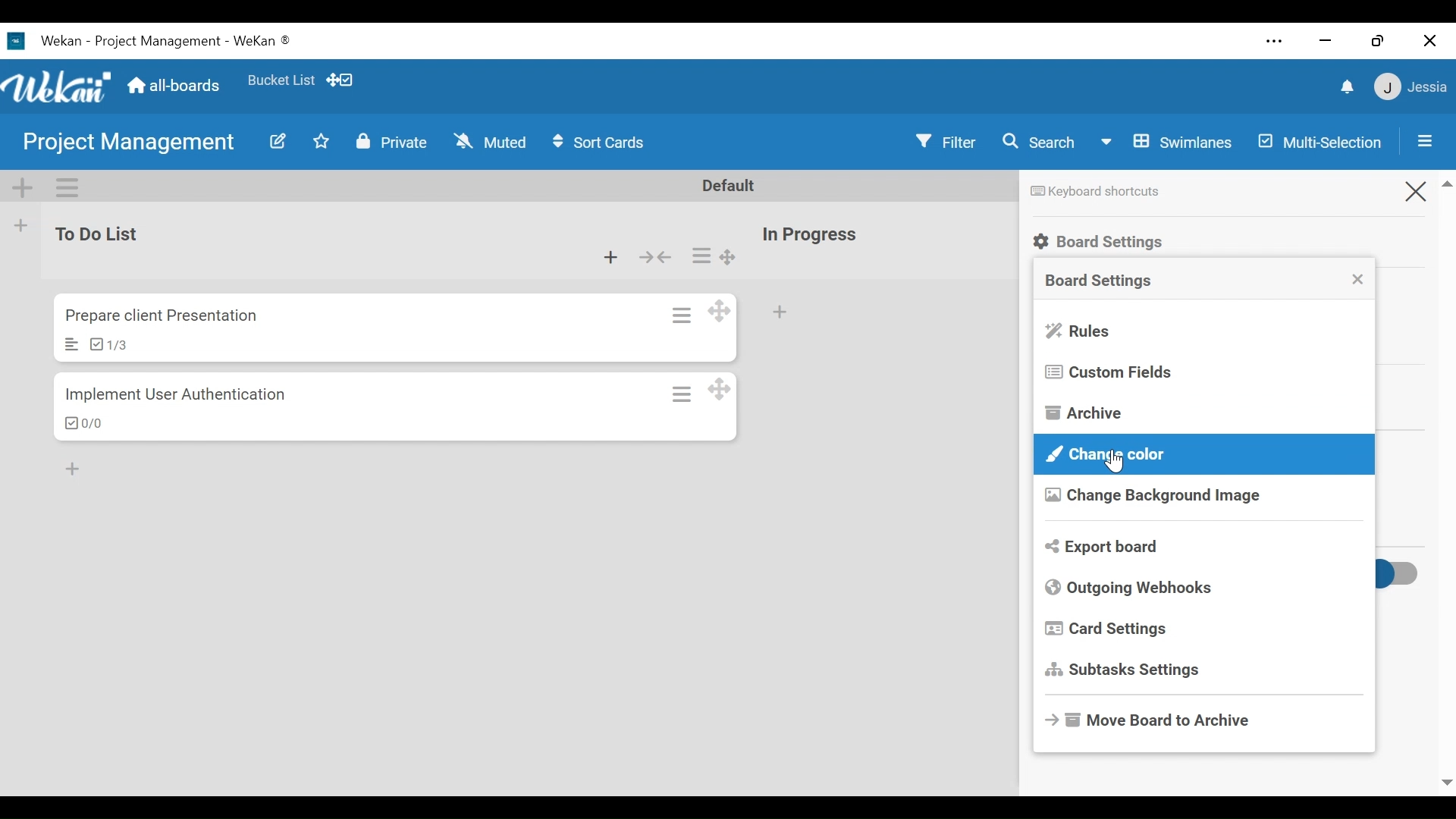 Image resolution: width=1456 pixels, height=819 pixels. Describe the element at coordinates (391, 142) in the screenshot. I see `Private` at that location.